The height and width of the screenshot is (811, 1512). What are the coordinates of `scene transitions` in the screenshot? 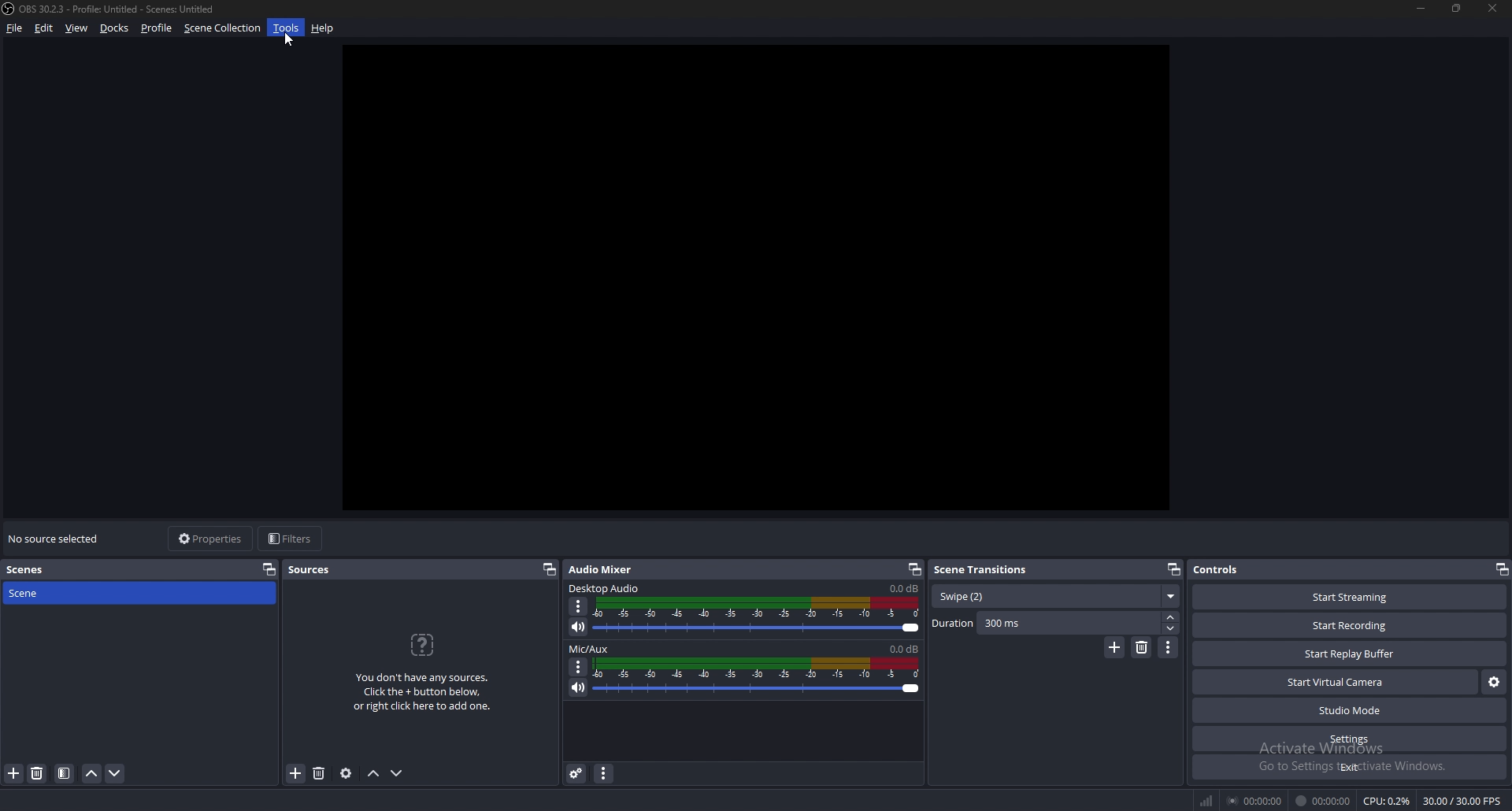 It's located at (985, 568).